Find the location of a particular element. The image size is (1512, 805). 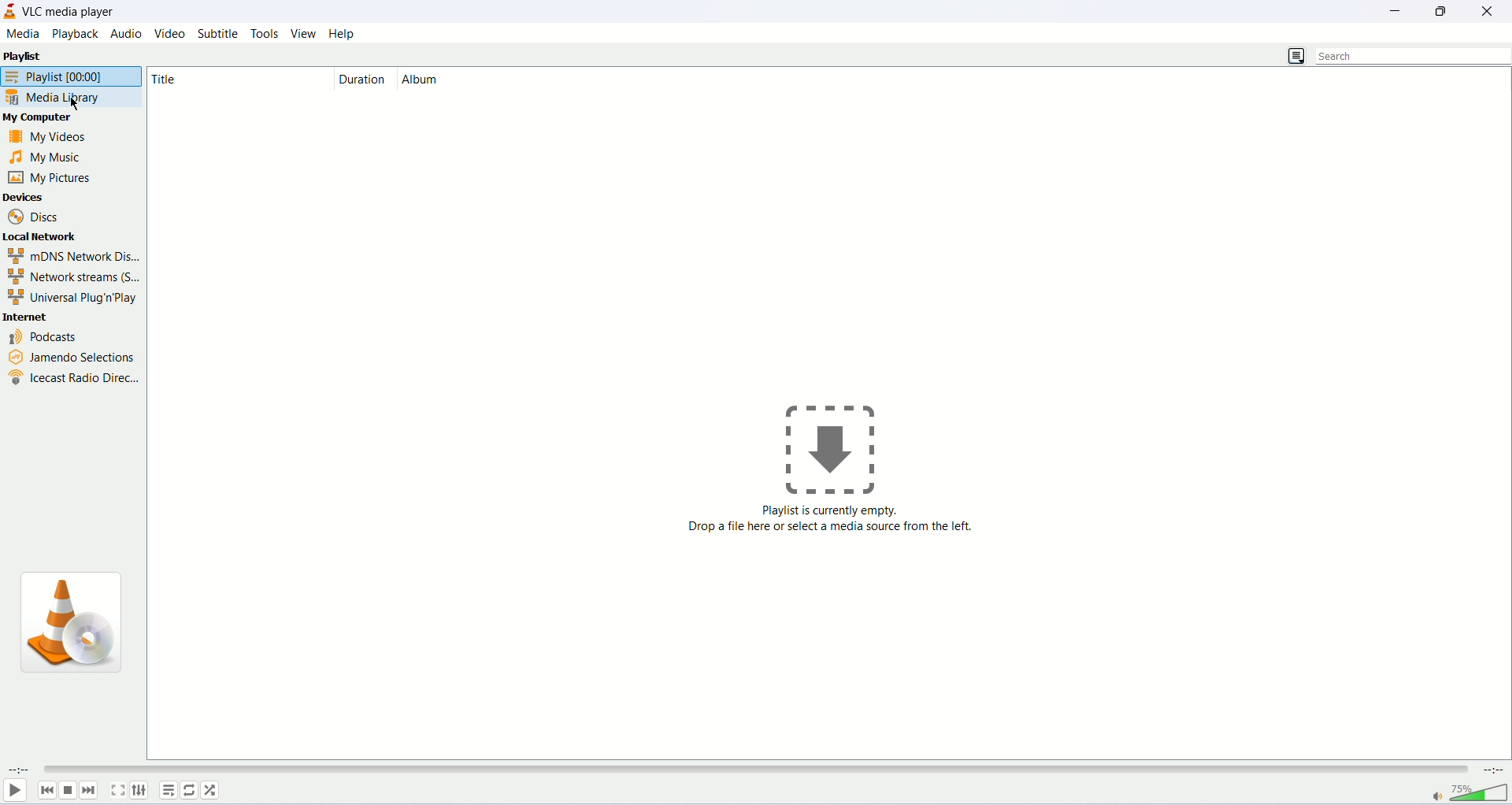

maximize is located at coordinates (1445, 11).